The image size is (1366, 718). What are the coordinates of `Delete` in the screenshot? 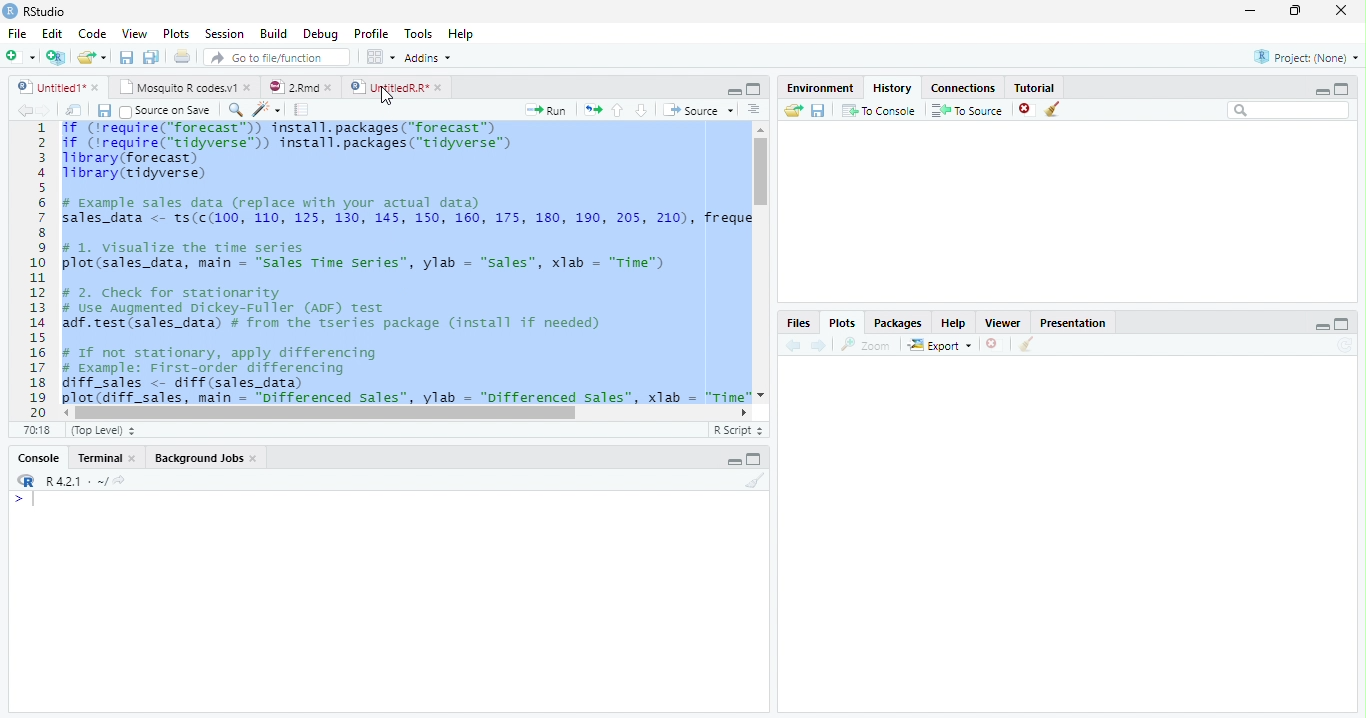 It's located at (992, 343).